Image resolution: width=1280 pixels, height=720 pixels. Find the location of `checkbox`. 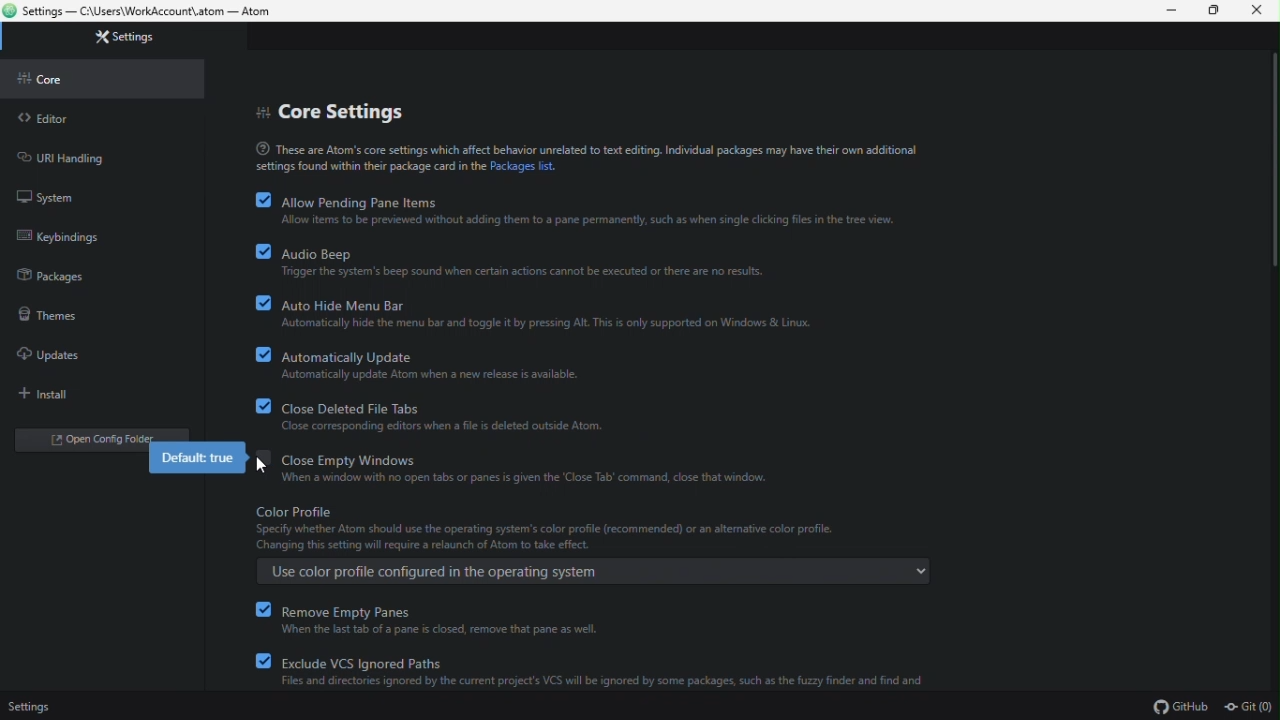

checkbox is located at coordinates (261, 405).